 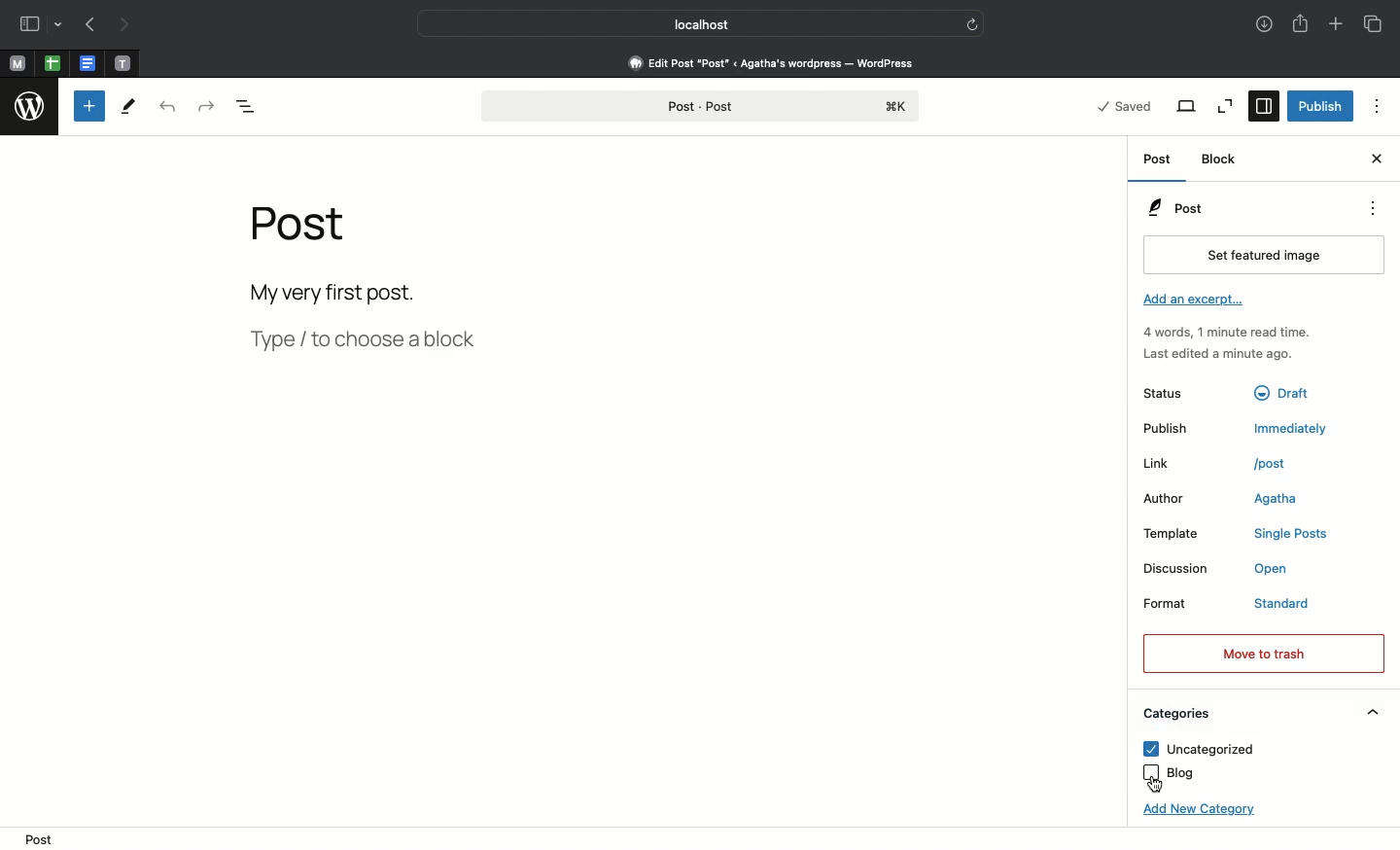 I want to click on Open, so click(x=1281, y=571).